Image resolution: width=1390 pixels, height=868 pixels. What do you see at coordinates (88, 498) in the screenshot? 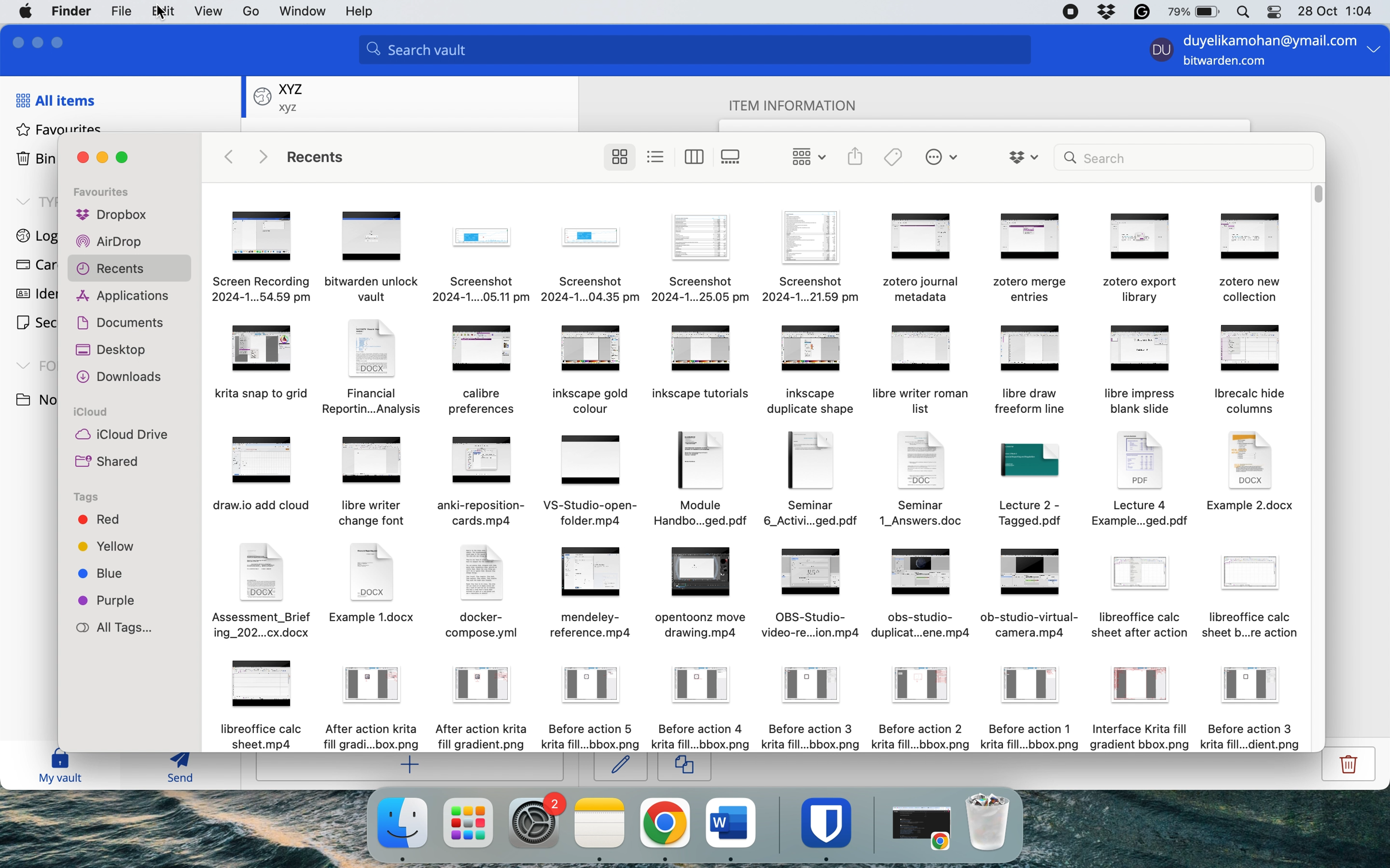
I see `tags` at bounding box center [88, 498].